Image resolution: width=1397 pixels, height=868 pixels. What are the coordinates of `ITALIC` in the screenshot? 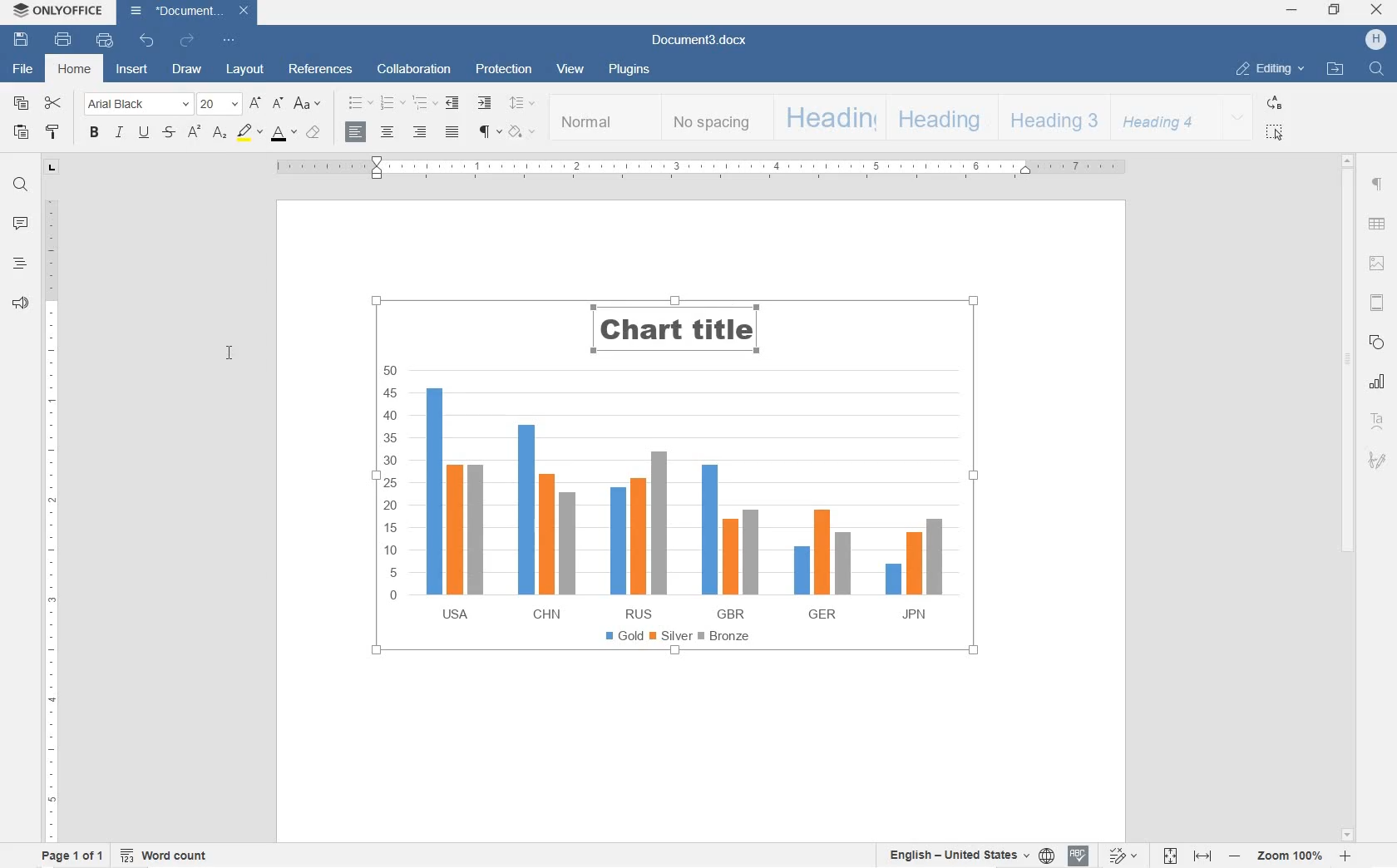 It's located at (120, 135).